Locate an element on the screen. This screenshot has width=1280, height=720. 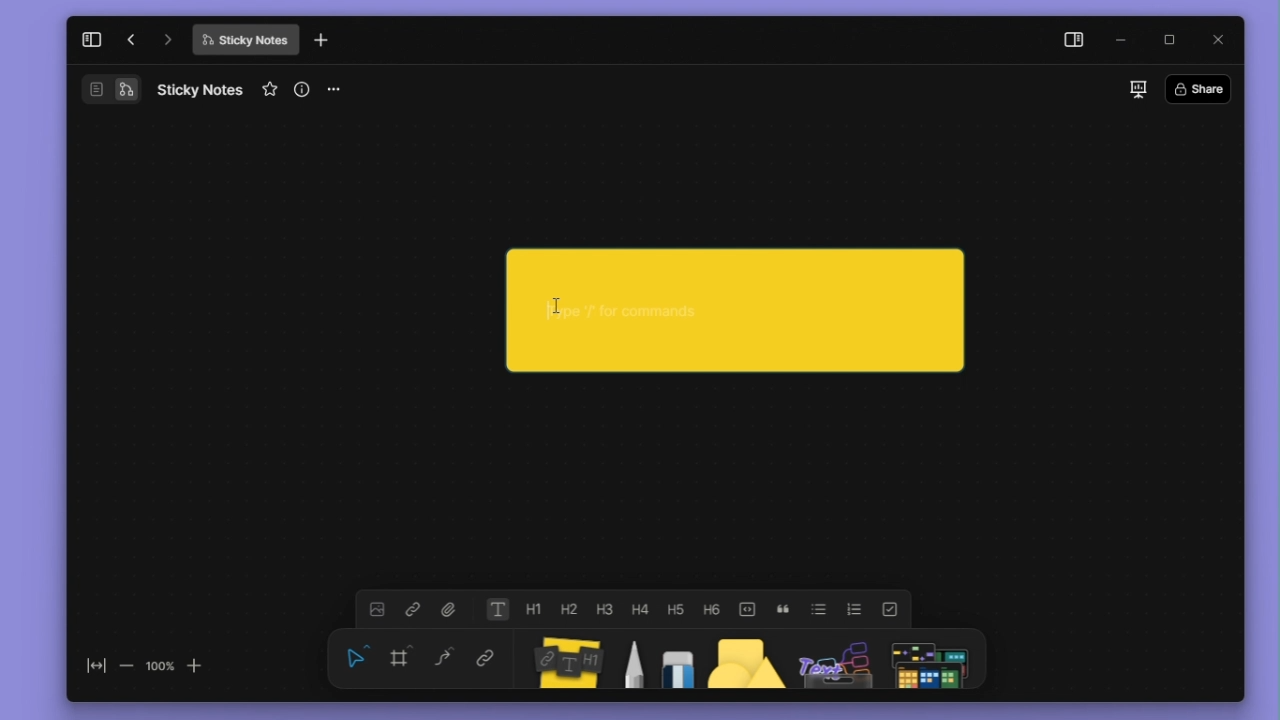
fit to screen is located at coordinates (89, 661).